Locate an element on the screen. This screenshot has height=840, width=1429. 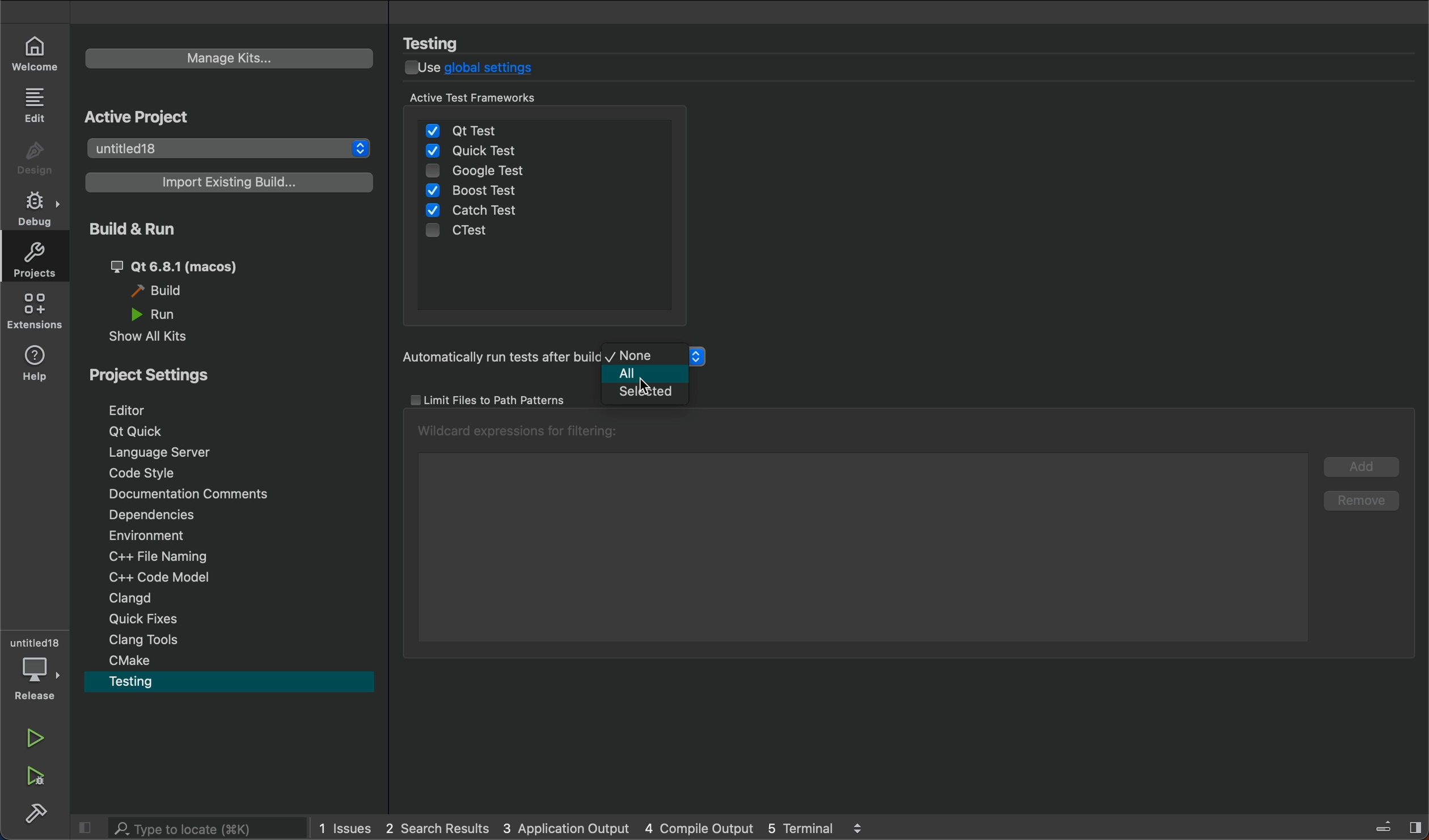
add is located at coordinates (1362, 465).